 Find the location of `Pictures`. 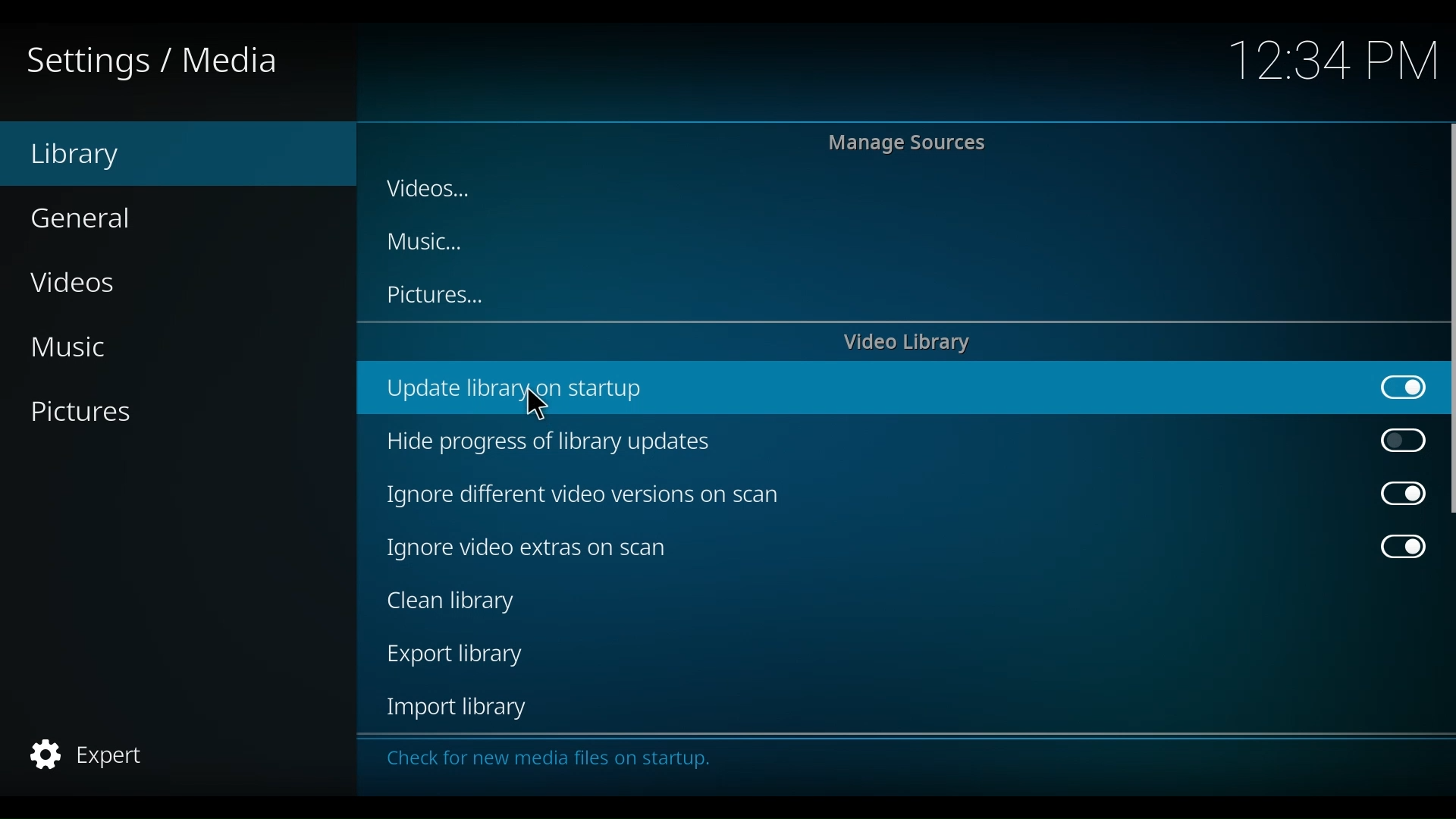

Pictures is located at coordinates (438, 297).